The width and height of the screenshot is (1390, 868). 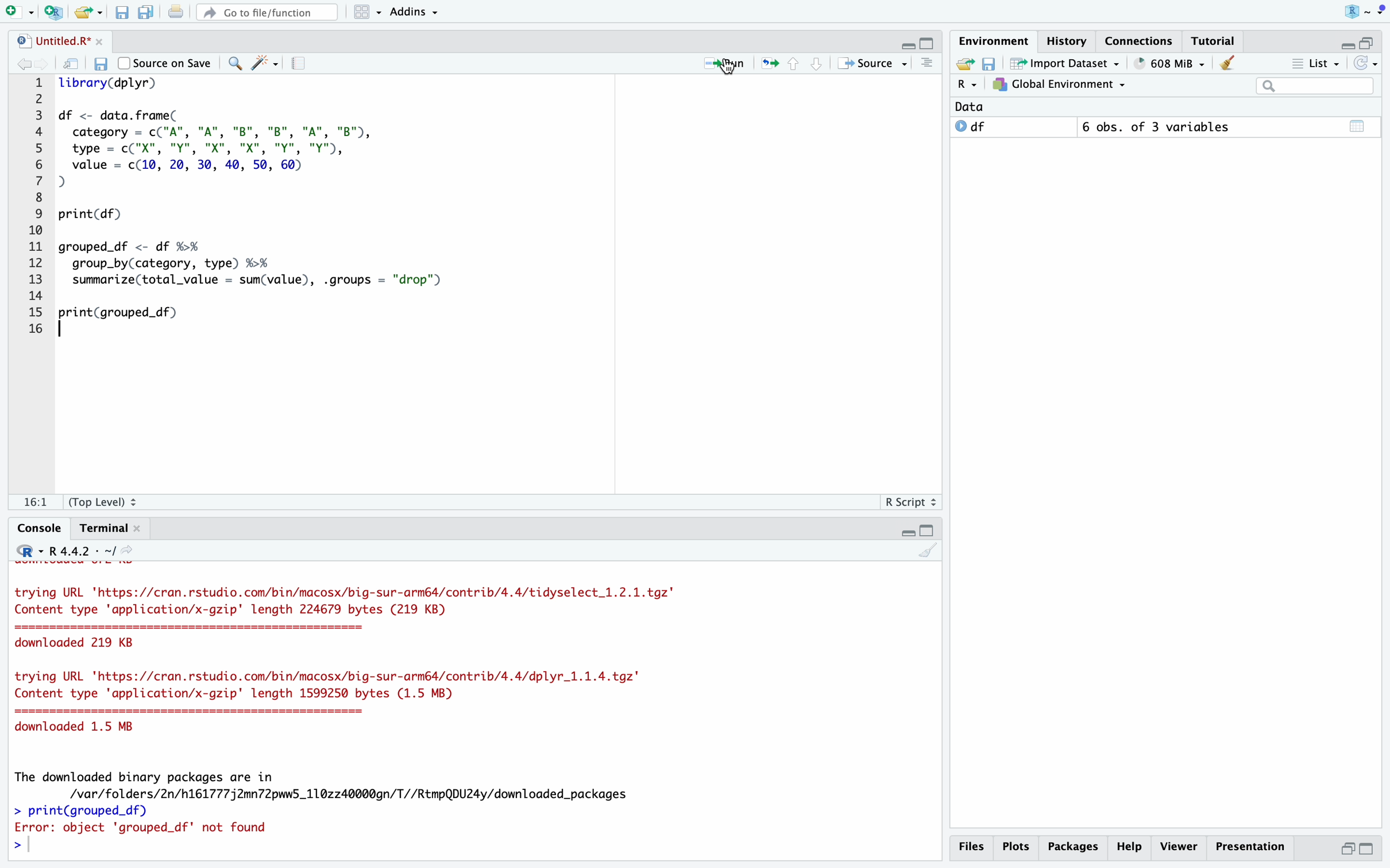 I want to click on Go to previous location, so click(x=22, y=64).